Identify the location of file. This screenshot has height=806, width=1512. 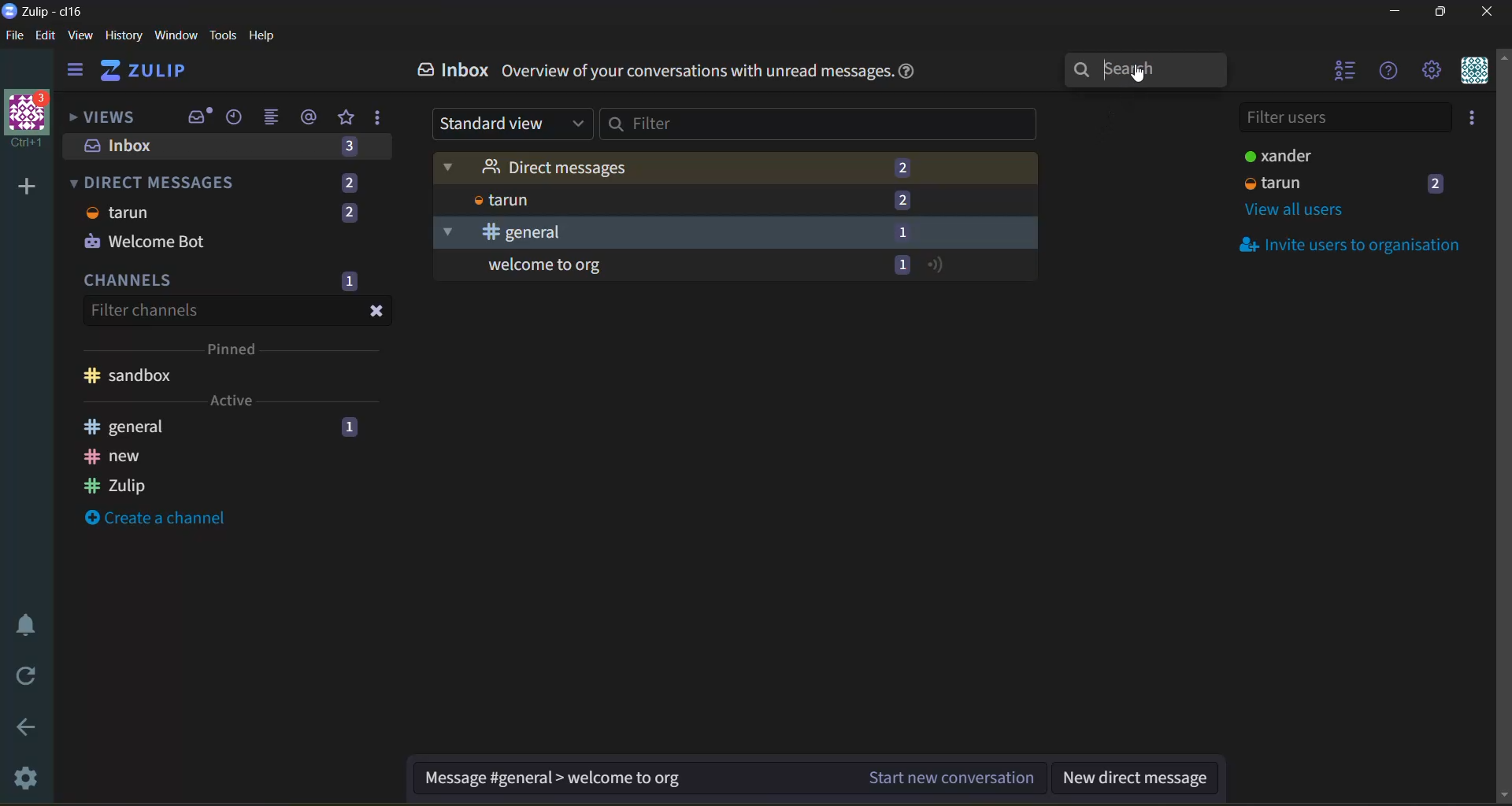
(15, 36).